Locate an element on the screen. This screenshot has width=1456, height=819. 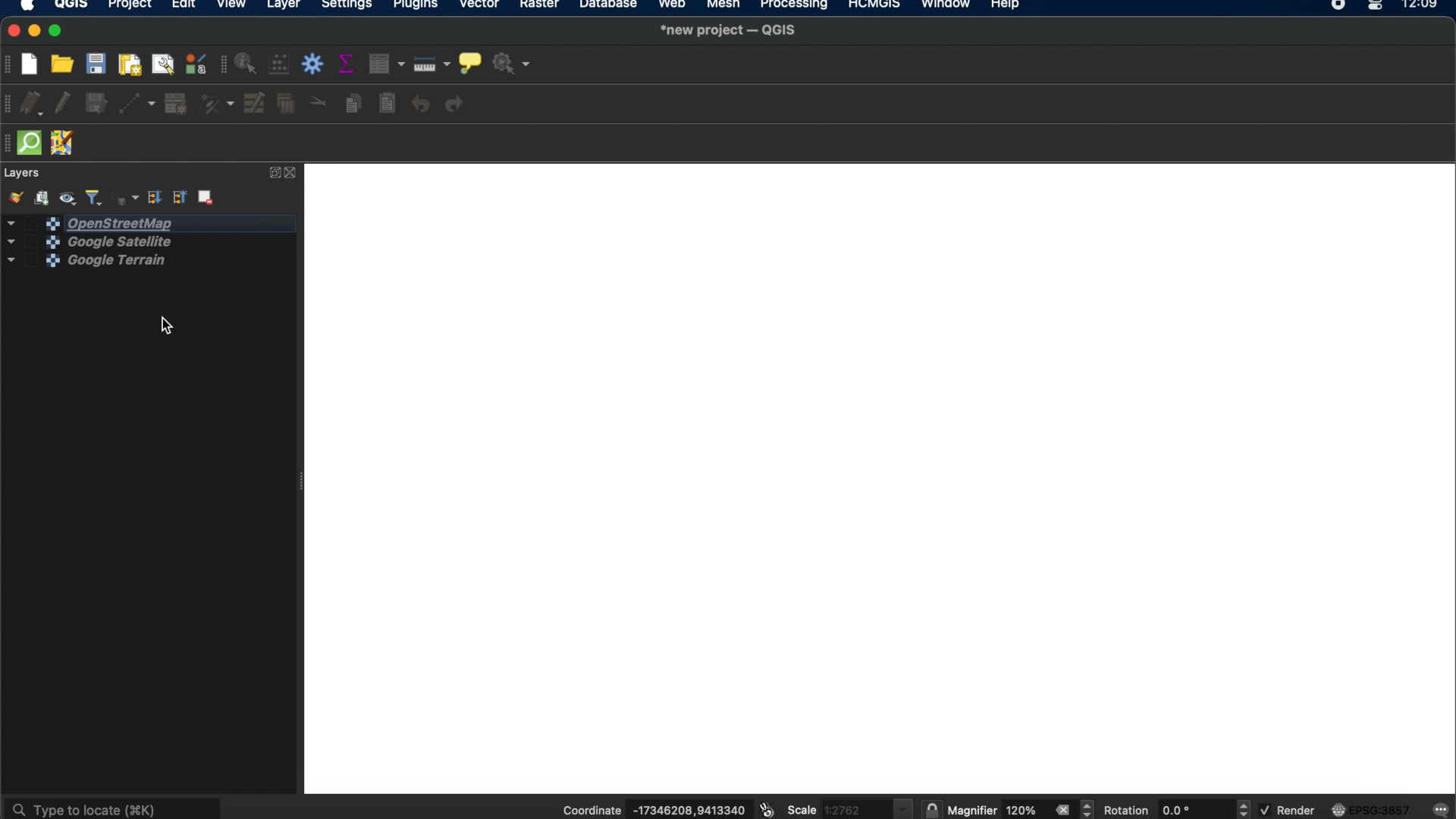
save project t is located at coordinates (97, 64).